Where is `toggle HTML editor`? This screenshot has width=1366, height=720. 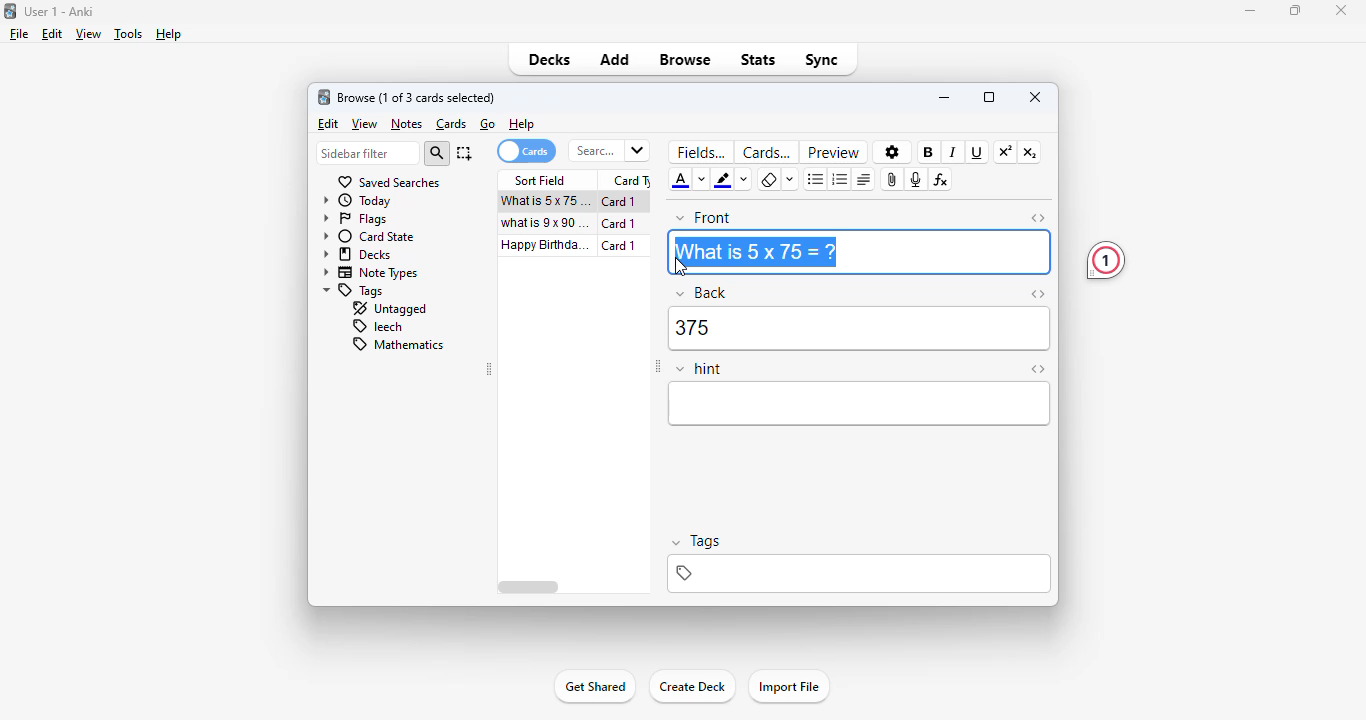 toggle HTML editor is located at coordinates (1038, 369).